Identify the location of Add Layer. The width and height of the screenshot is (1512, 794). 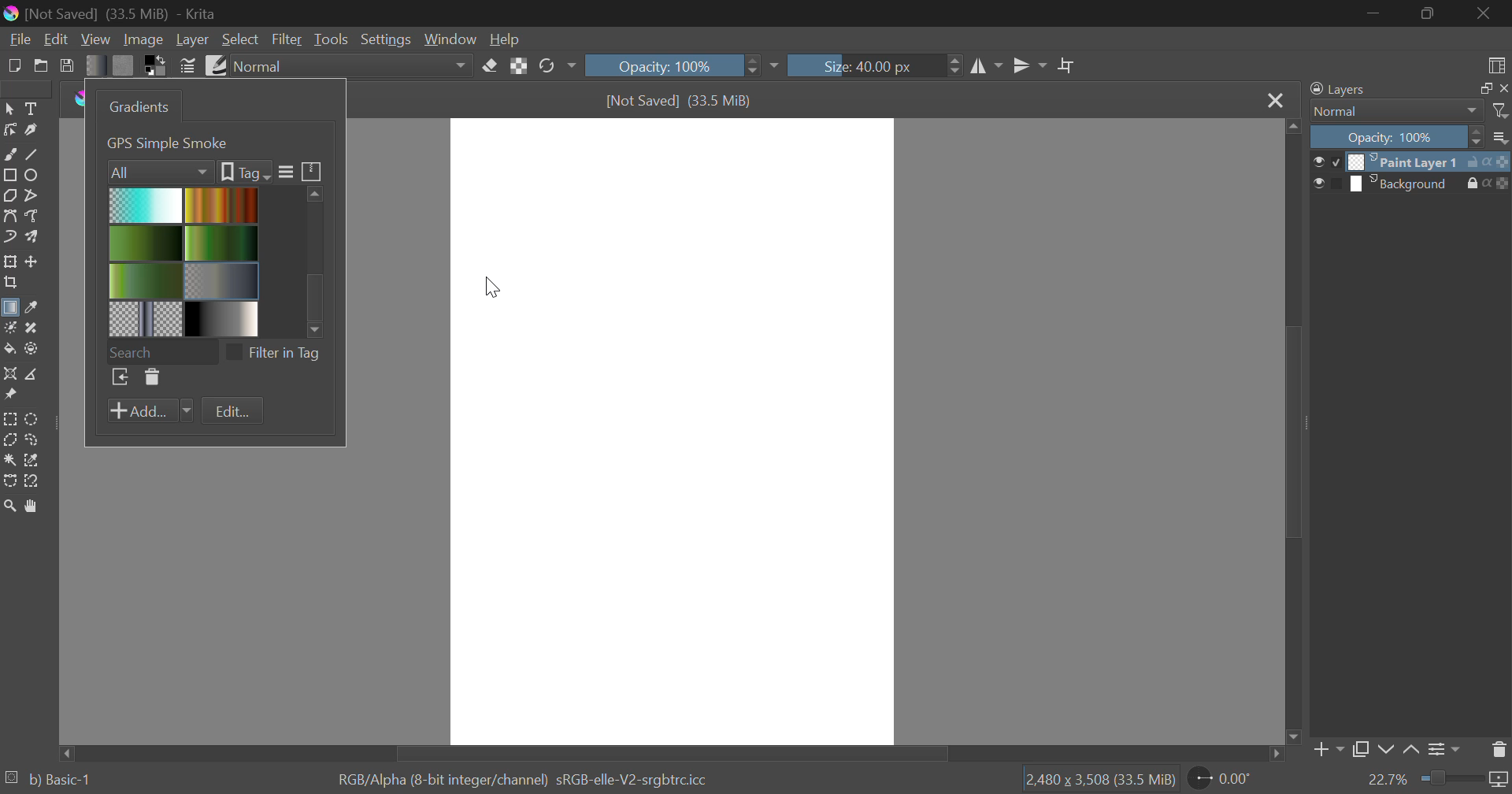
(1327, 753).